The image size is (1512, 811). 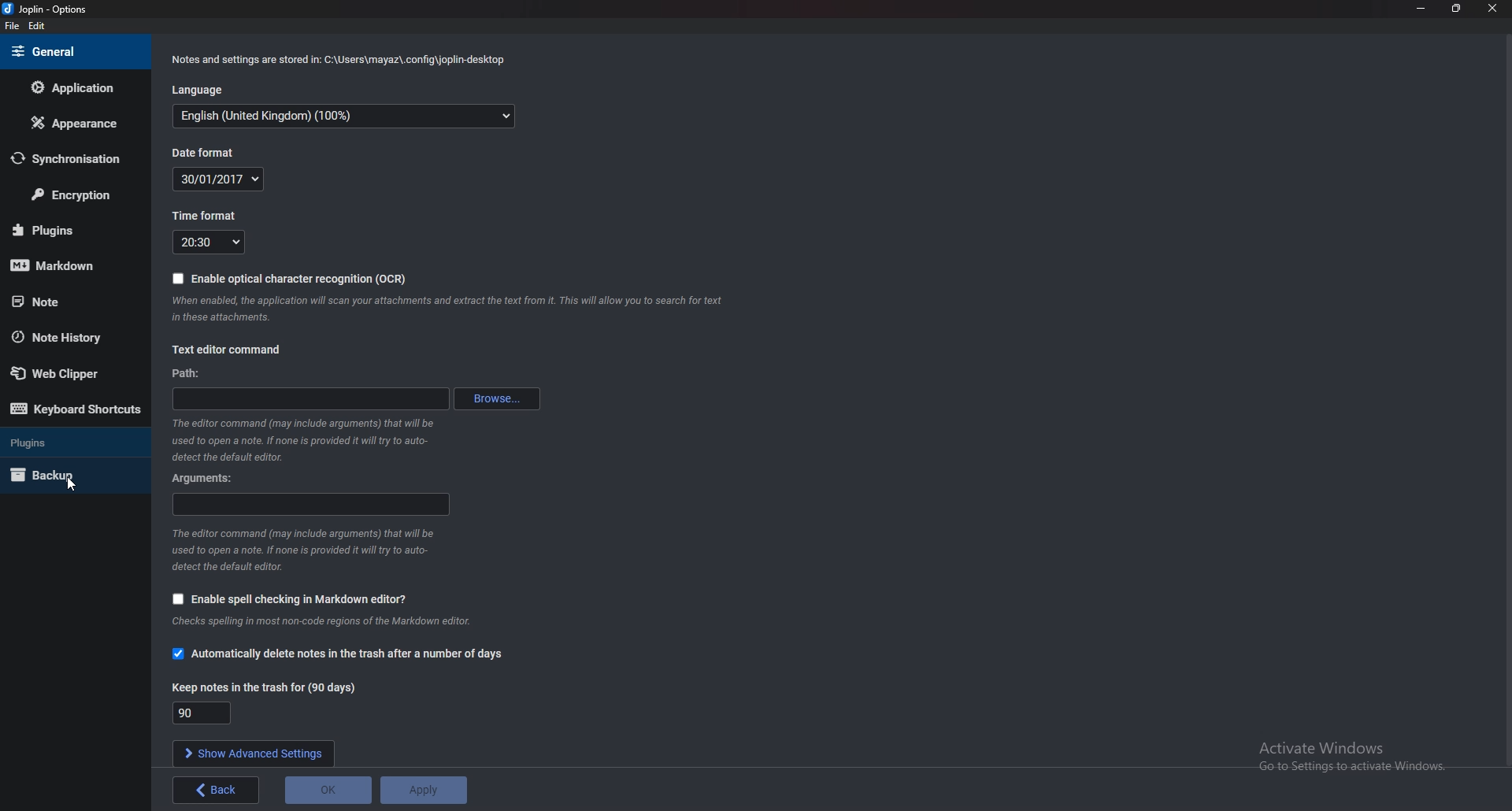 What do you see at coordinates (342, 654) in the screenshot?
I see `Automatically delete notes` at bounding box center [342, 654].